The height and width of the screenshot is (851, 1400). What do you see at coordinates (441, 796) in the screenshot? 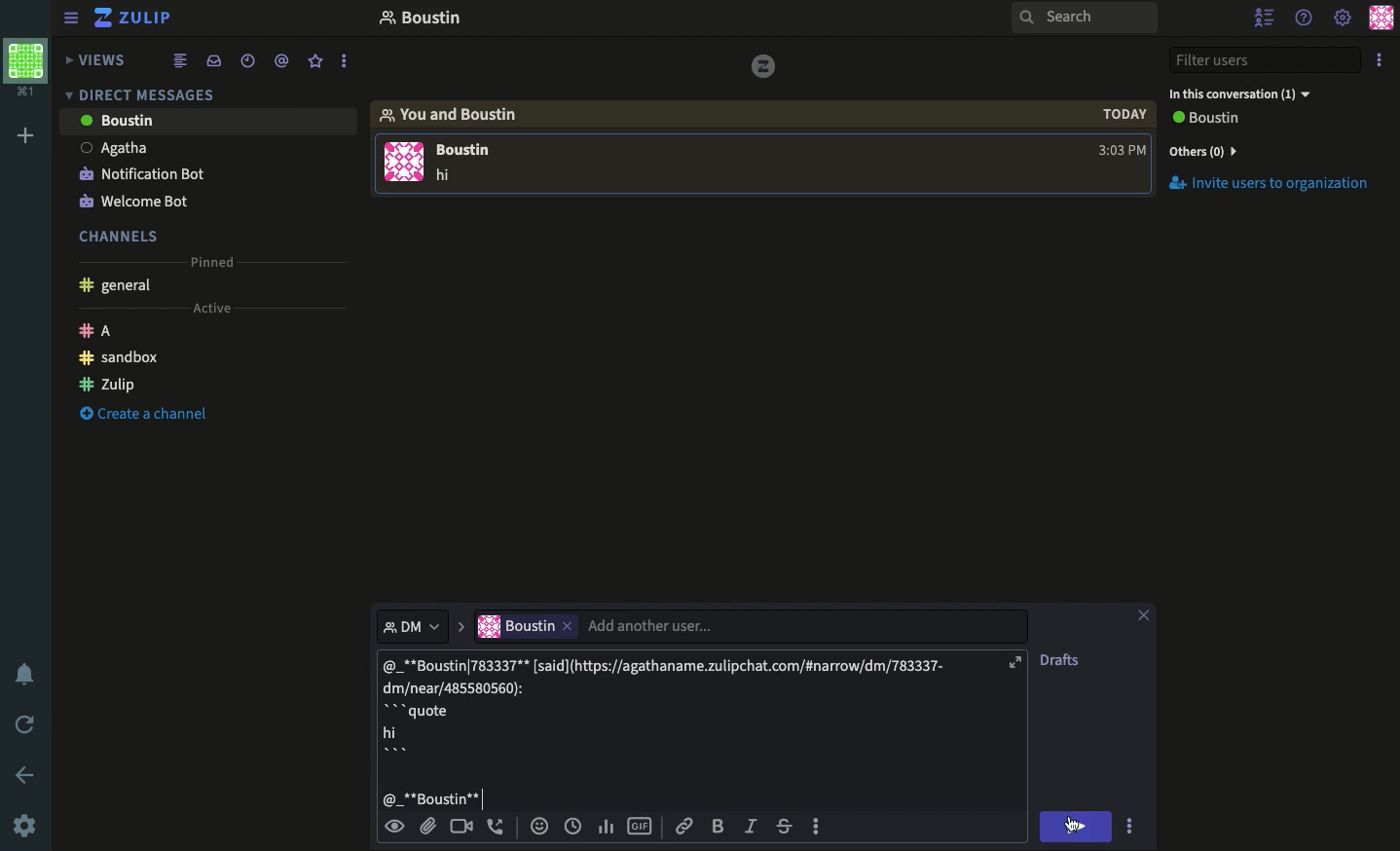
I see `Tagged` at bounding box center [441, 796].